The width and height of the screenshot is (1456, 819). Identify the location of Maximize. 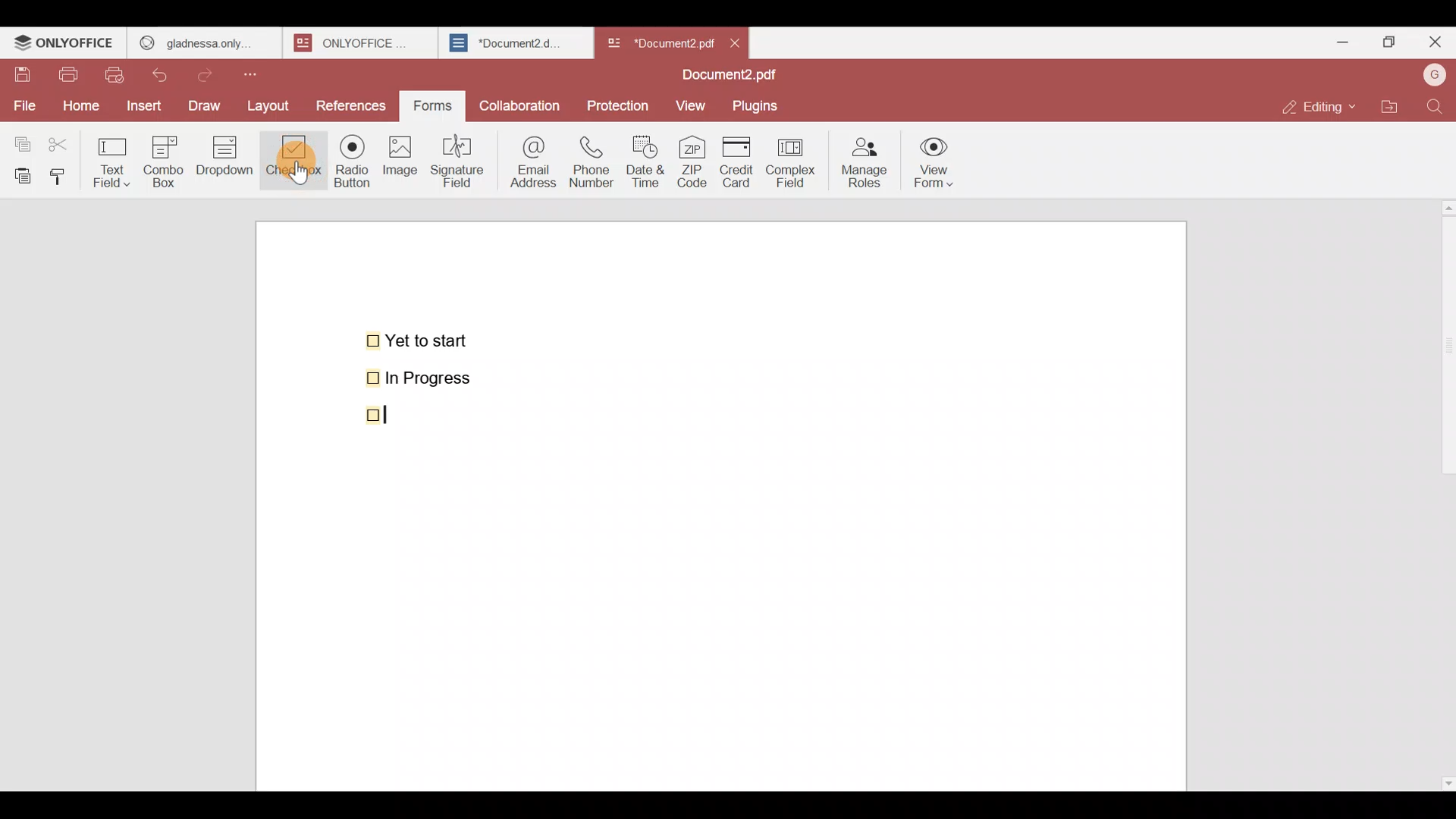
(1386, 41).